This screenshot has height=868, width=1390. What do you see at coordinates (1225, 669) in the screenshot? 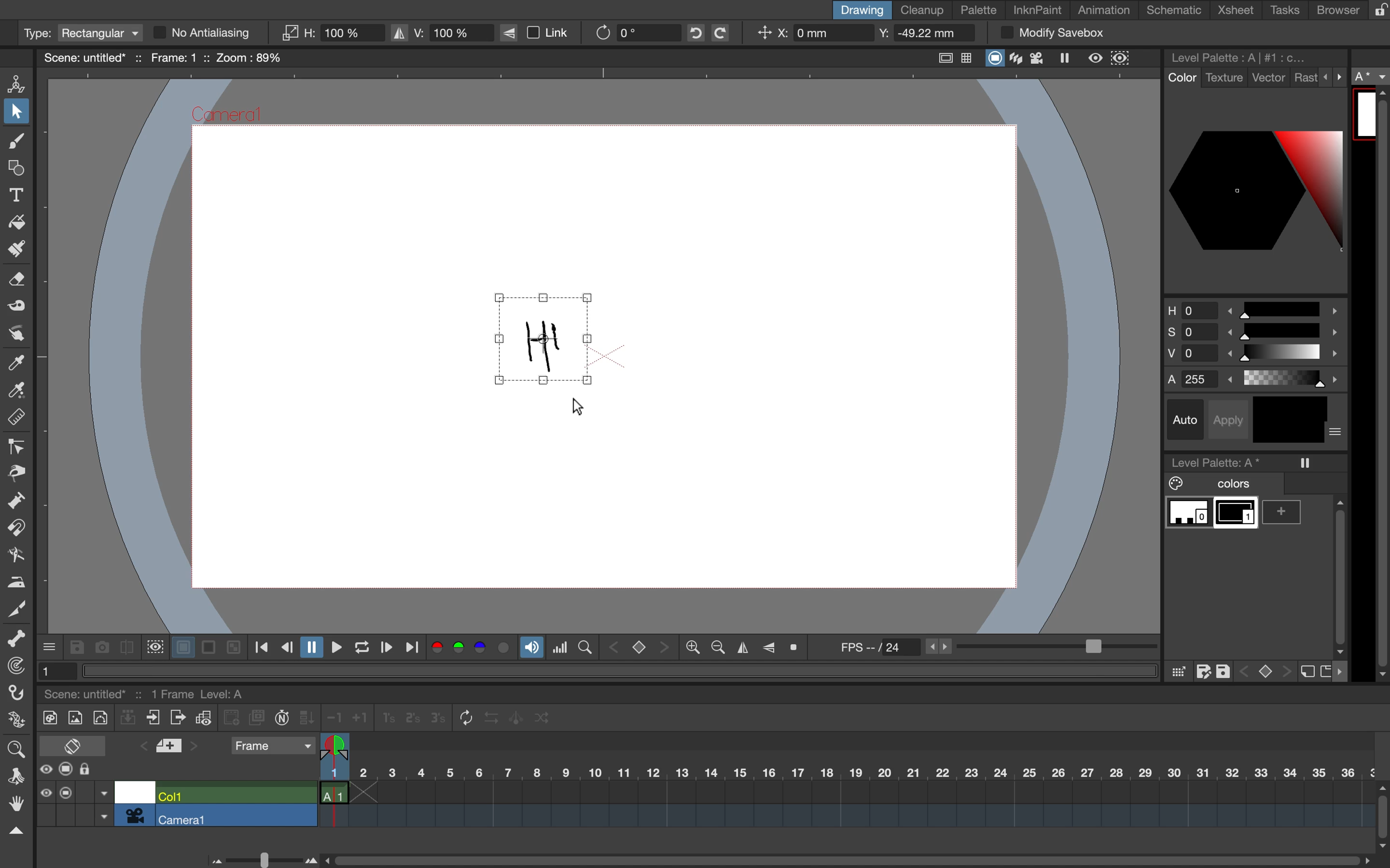
I see `save` at bounding box center [1225, 669].